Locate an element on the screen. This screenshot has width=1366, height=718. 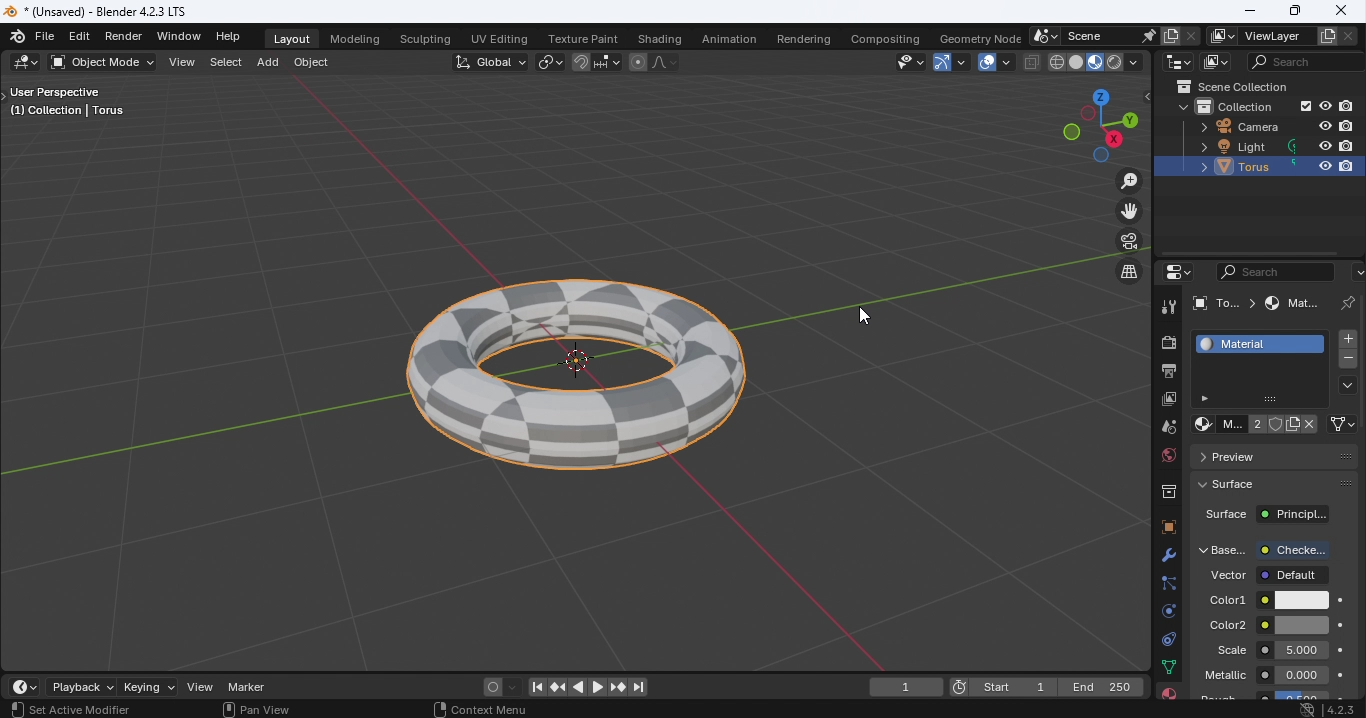
Disable in renders is located at coordinates (1346, 168).